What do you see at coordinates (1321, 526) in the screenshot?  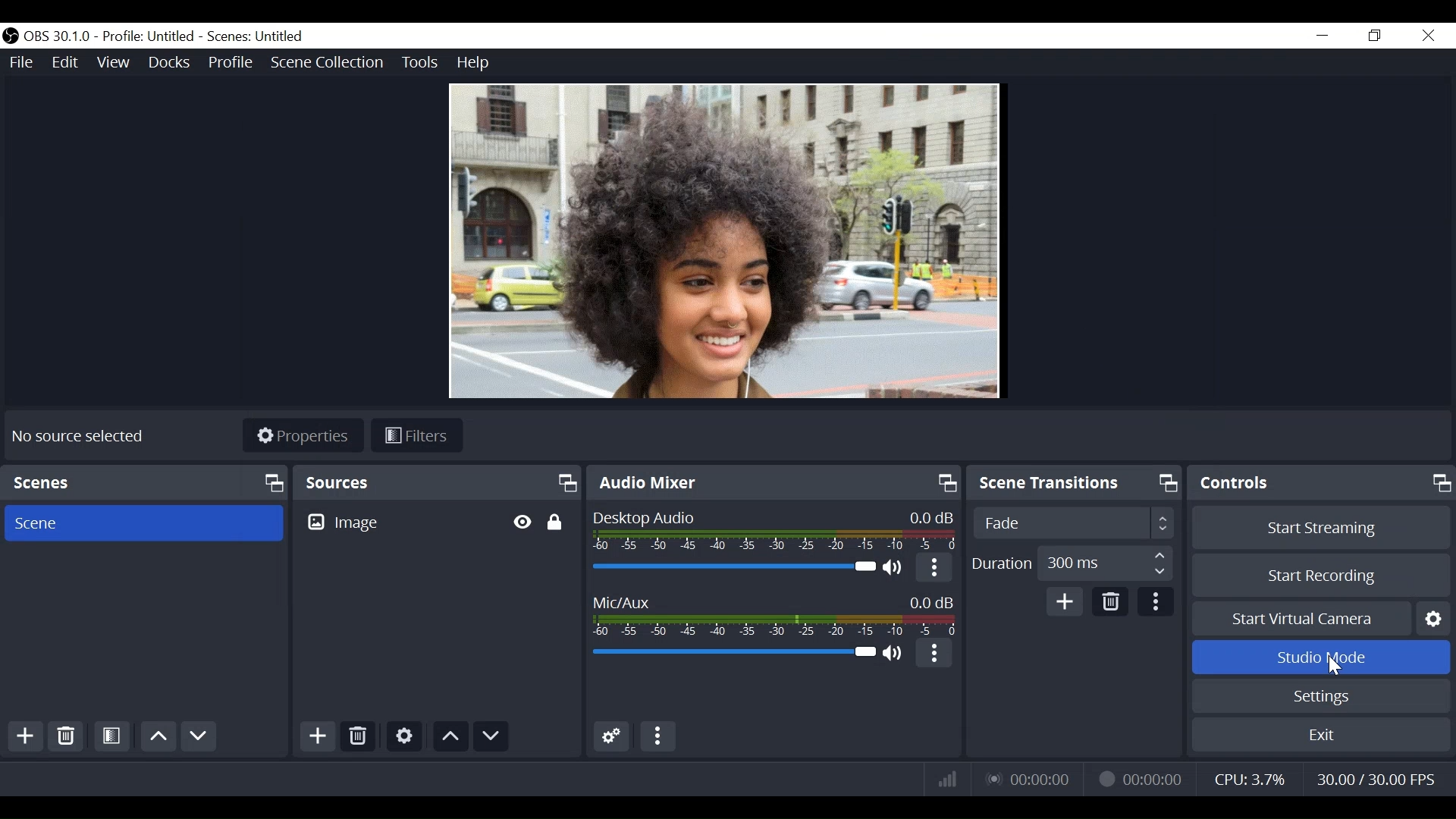 I see `Start Streaming` at bounding box center [1321, 526].